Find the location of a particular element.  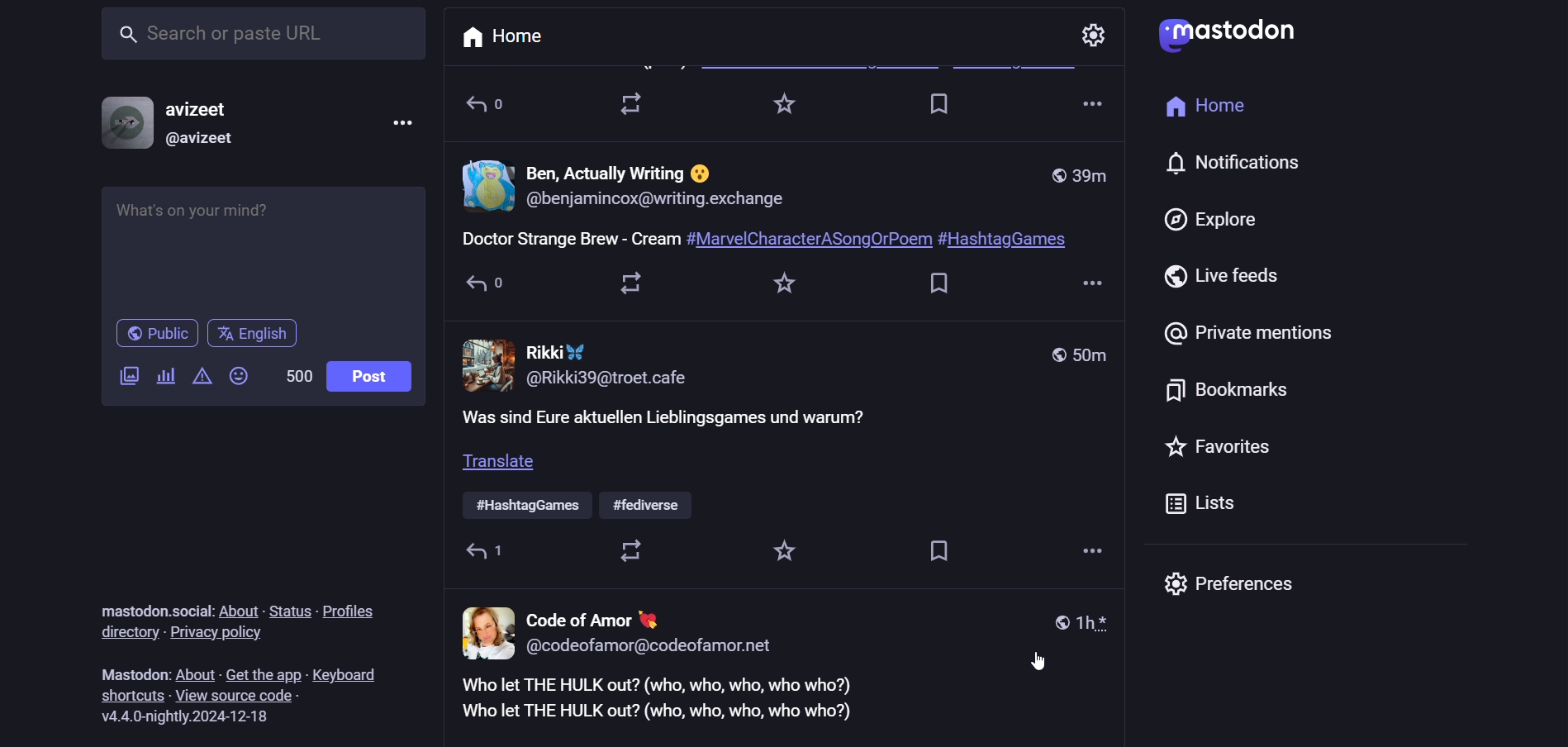

more is located at coordinates (1090, 552).